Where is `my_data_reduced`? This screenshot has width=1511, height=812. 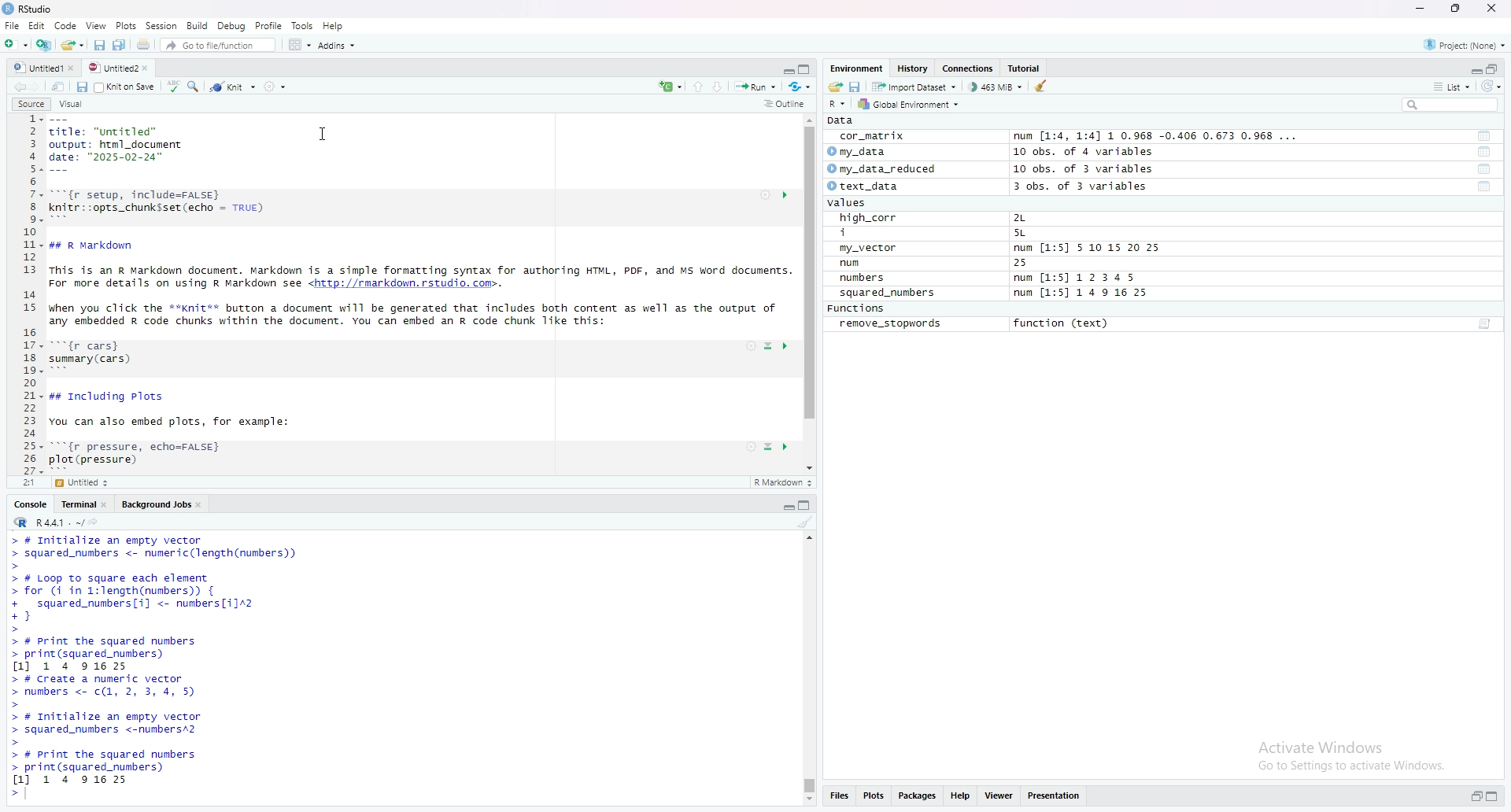
my_data_reduced is located at coordinates (891, 169).